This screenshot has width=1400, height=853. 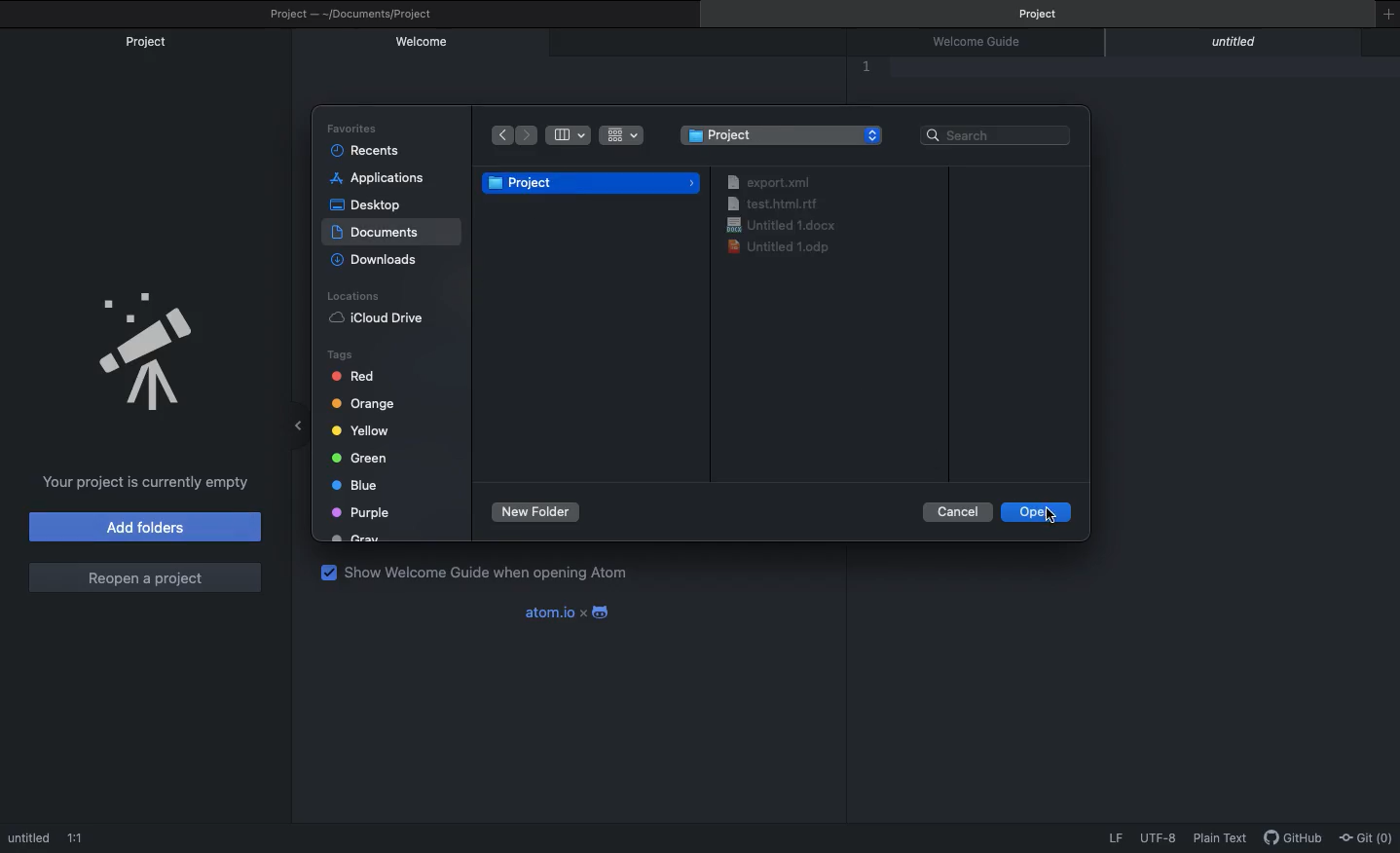 I want to click on Forward, so click(x=527, y=136).